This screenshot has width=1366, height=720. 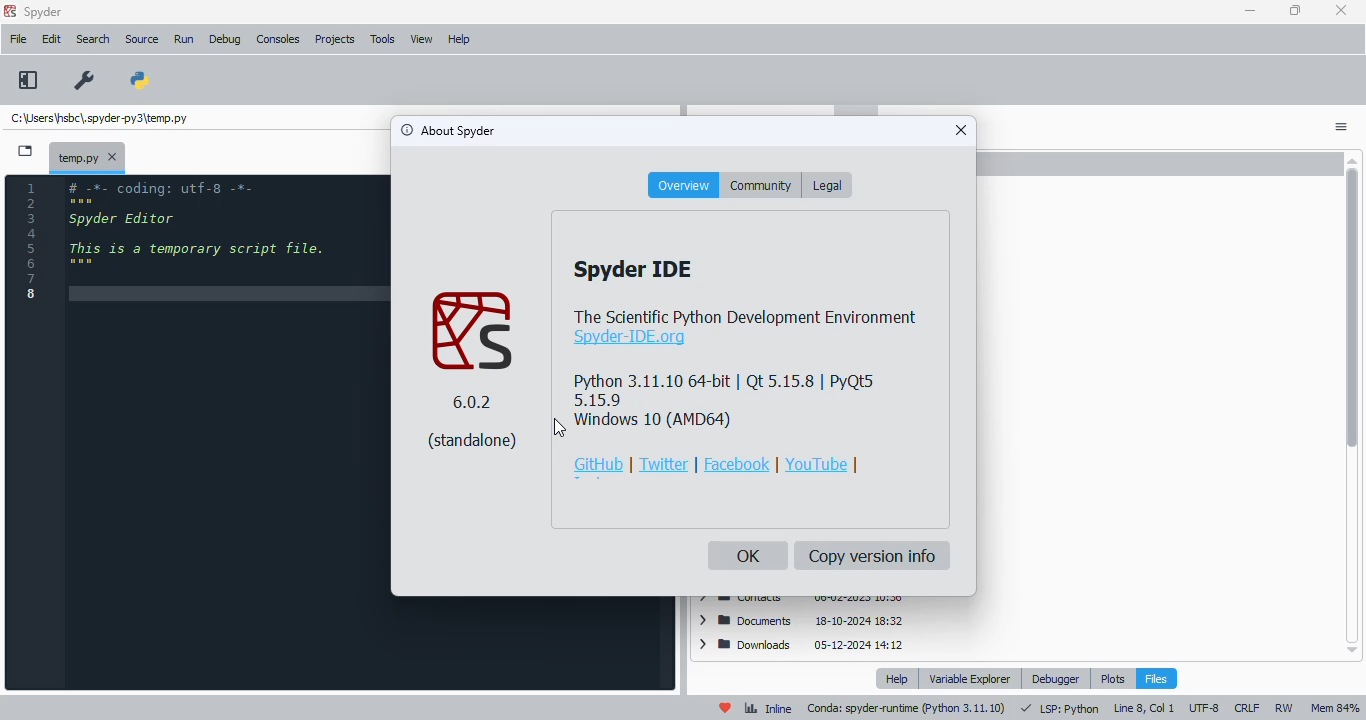 I want to click on tools, so click(x=384, y=39).